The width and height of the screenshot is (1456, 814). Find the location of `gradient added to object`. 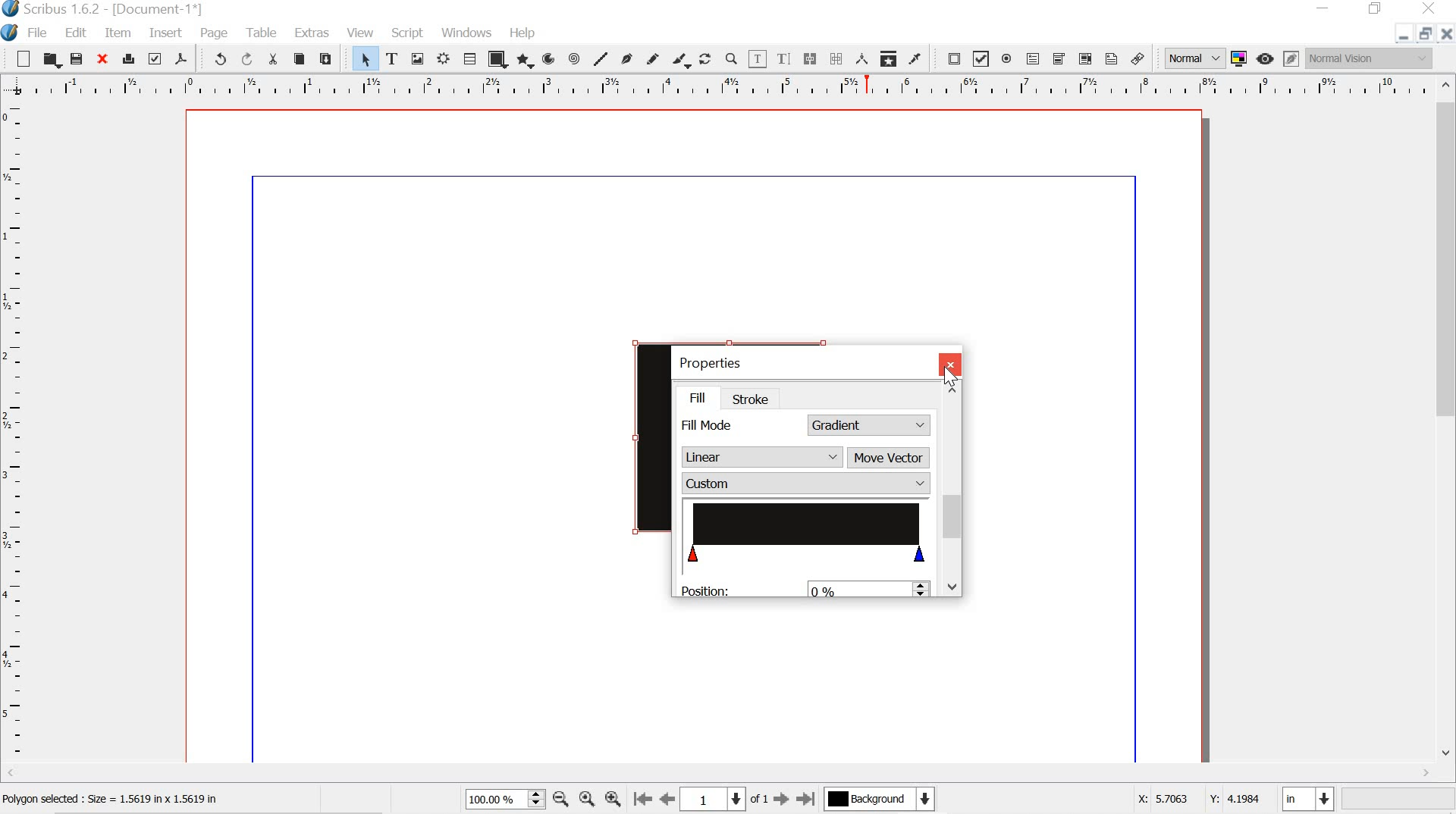

gradient added to object is located at coordinates (644, 437).